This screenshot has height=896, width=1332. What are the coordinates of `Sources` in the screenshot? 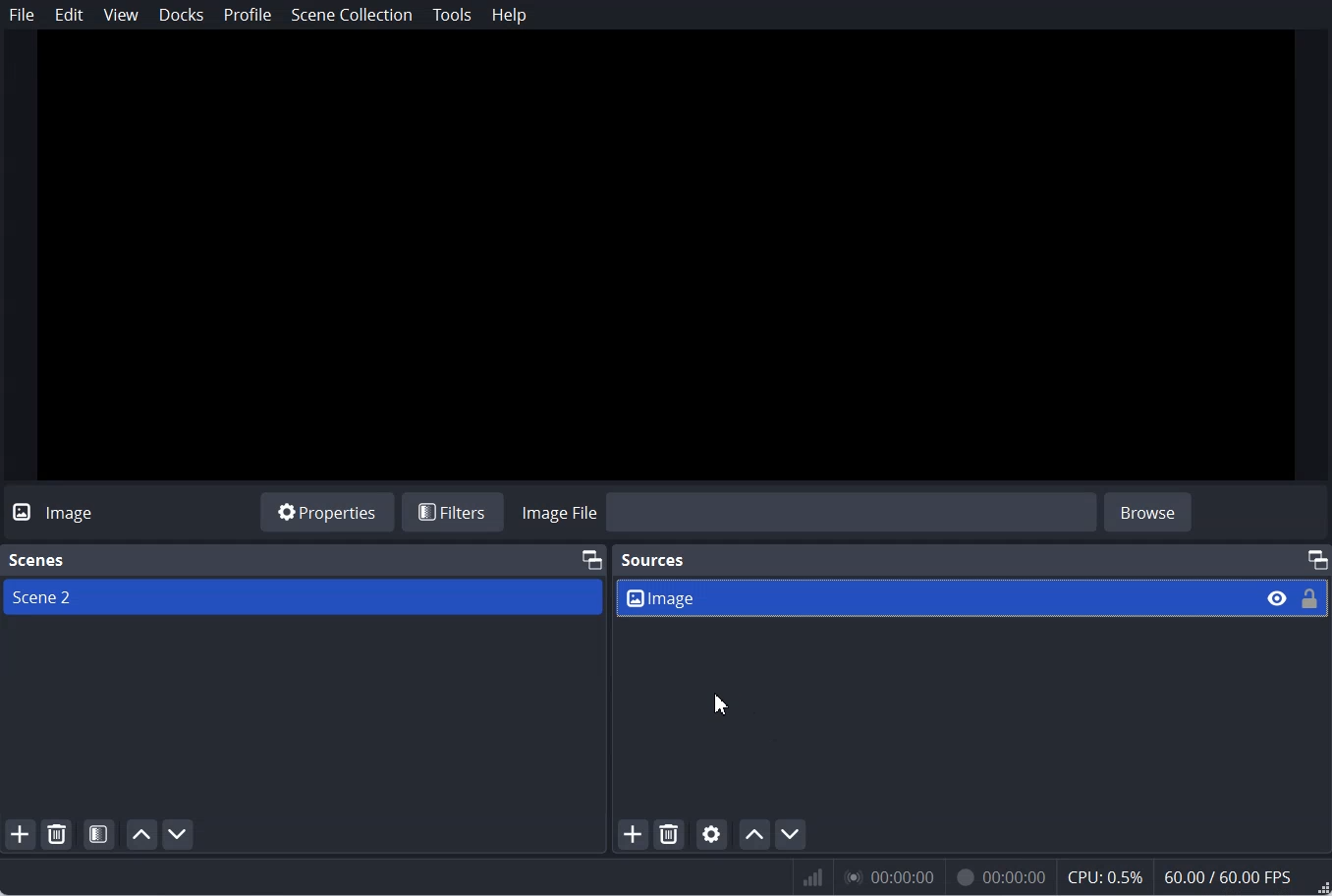 It's located at (653, 561).